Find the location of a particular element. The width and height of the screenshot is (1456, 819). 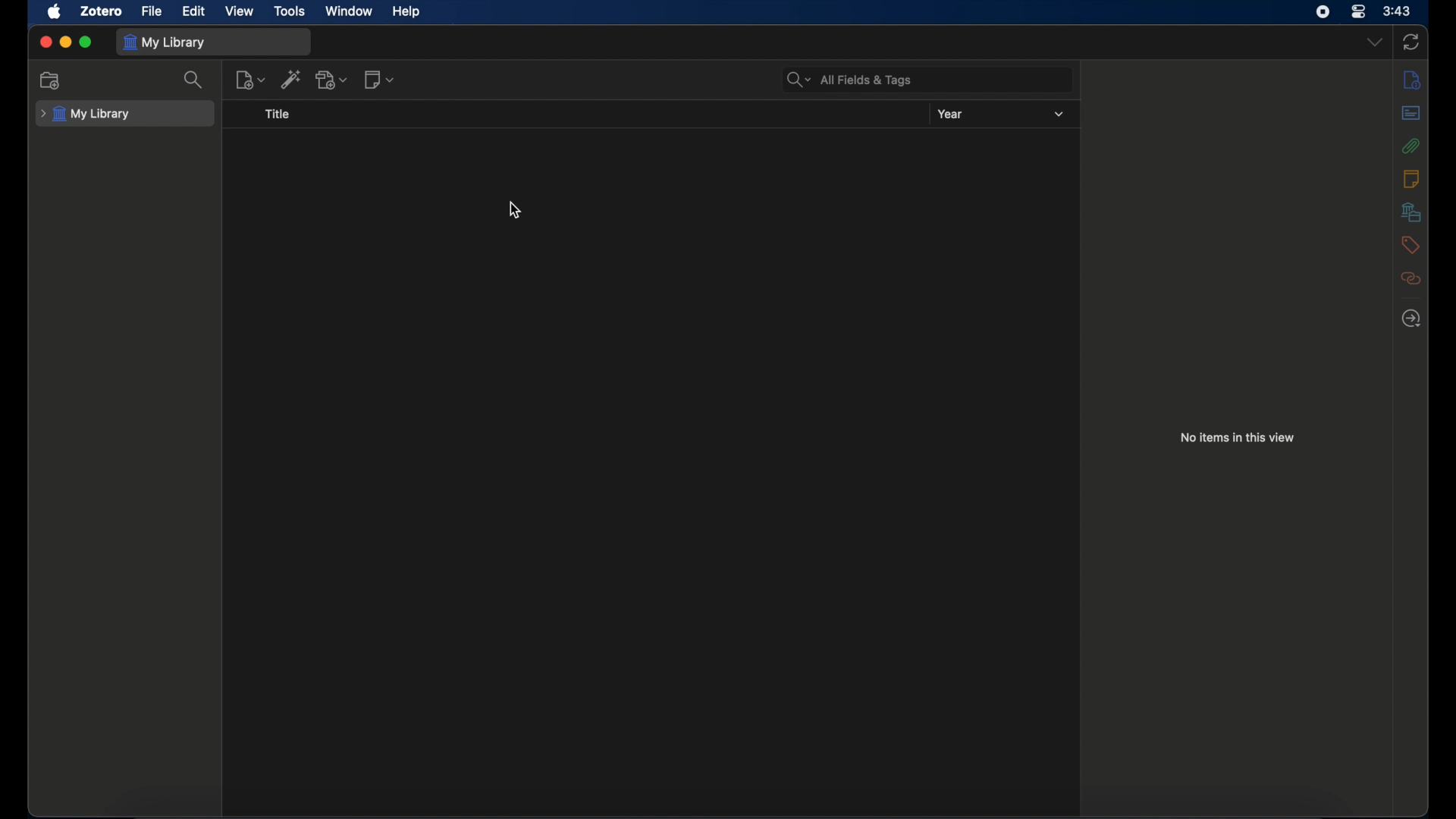

dropdown is located at coordinates (1373, 42).